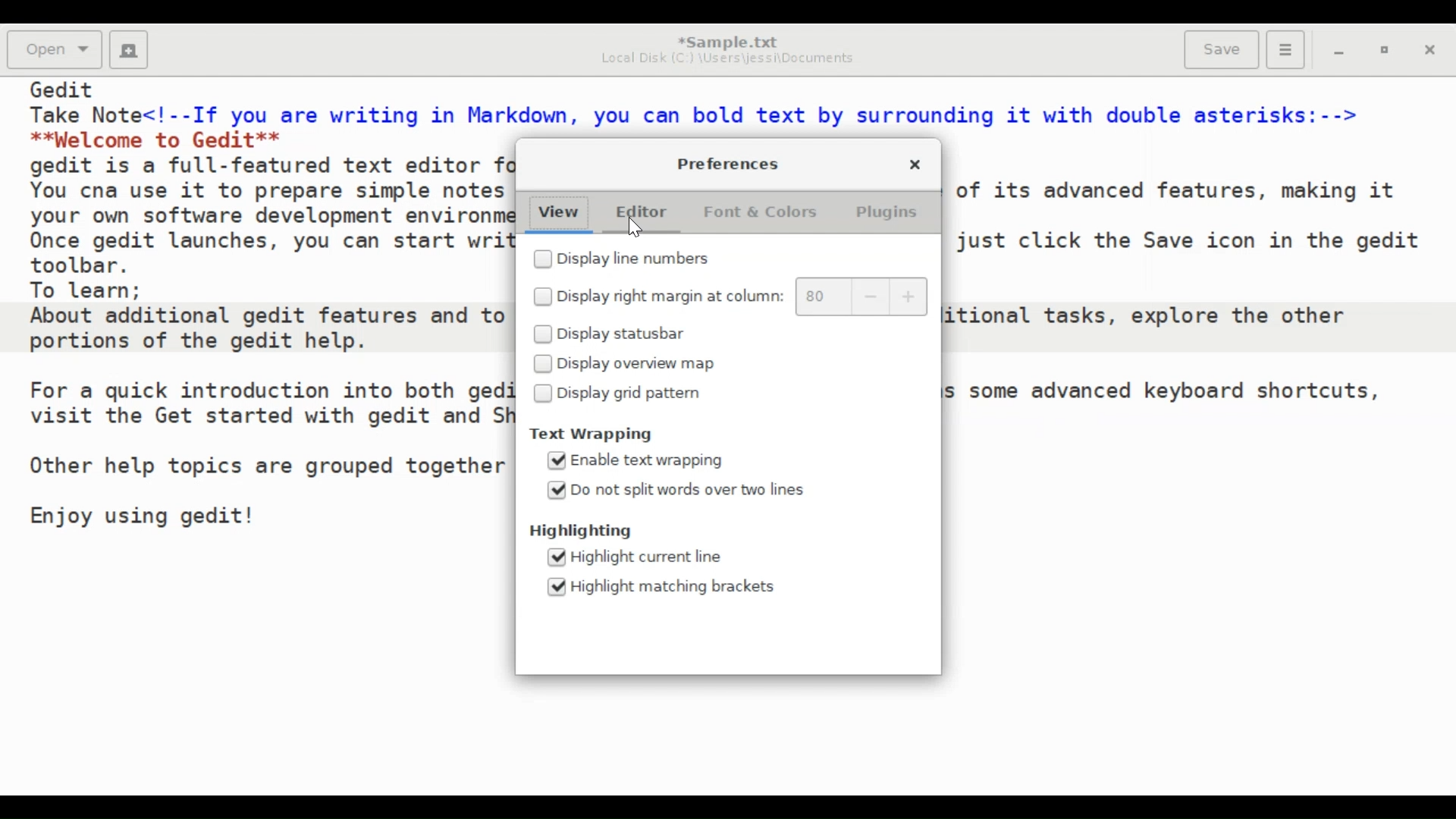  What do you see at coordinates (762, 212) in the screenshot?
I see `Font & Colors` at bounding box center [762, 212].